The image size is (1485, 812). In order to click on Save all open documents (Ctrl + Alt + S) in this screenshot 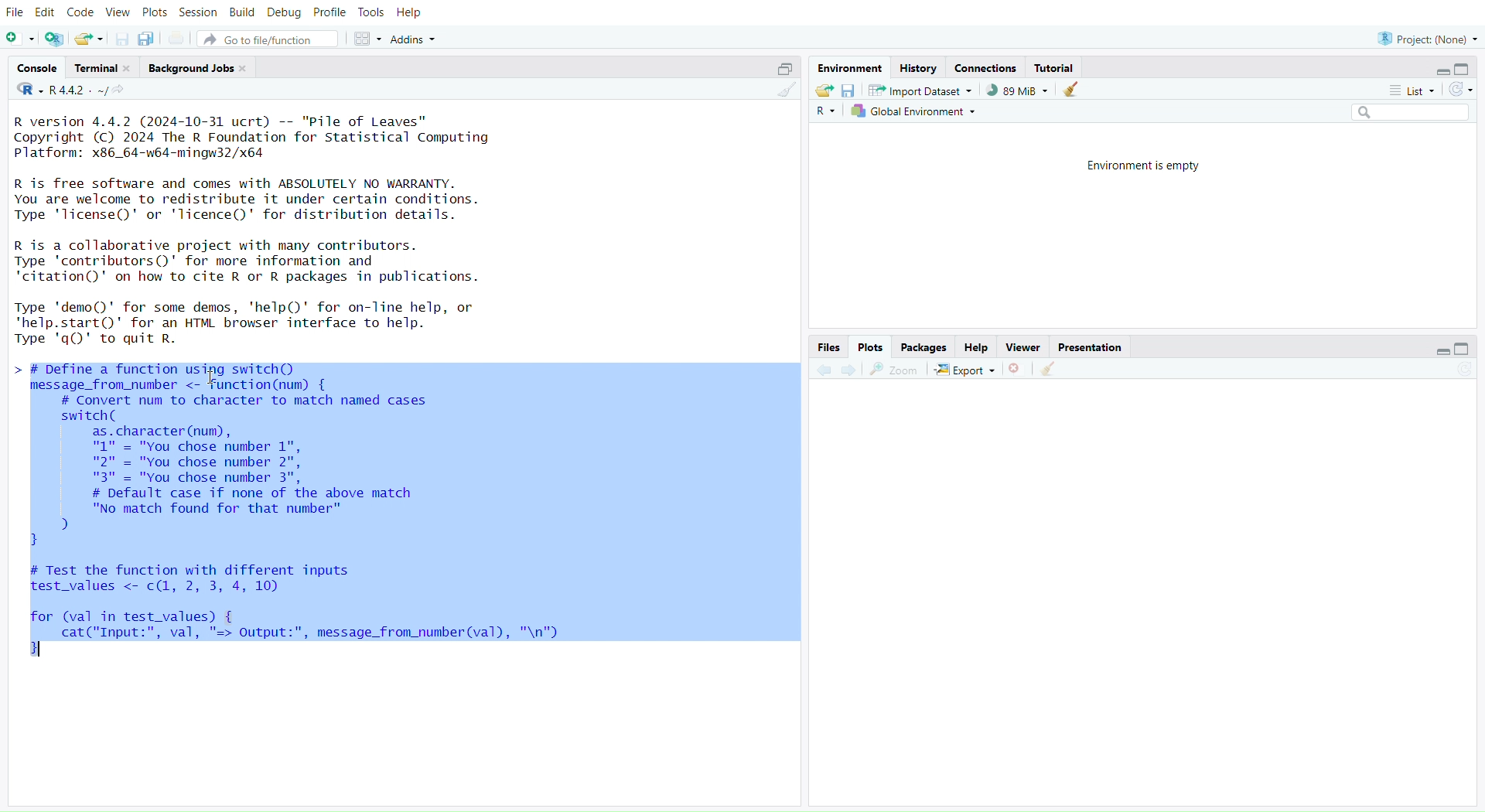, I will do `click(151, 38)`.